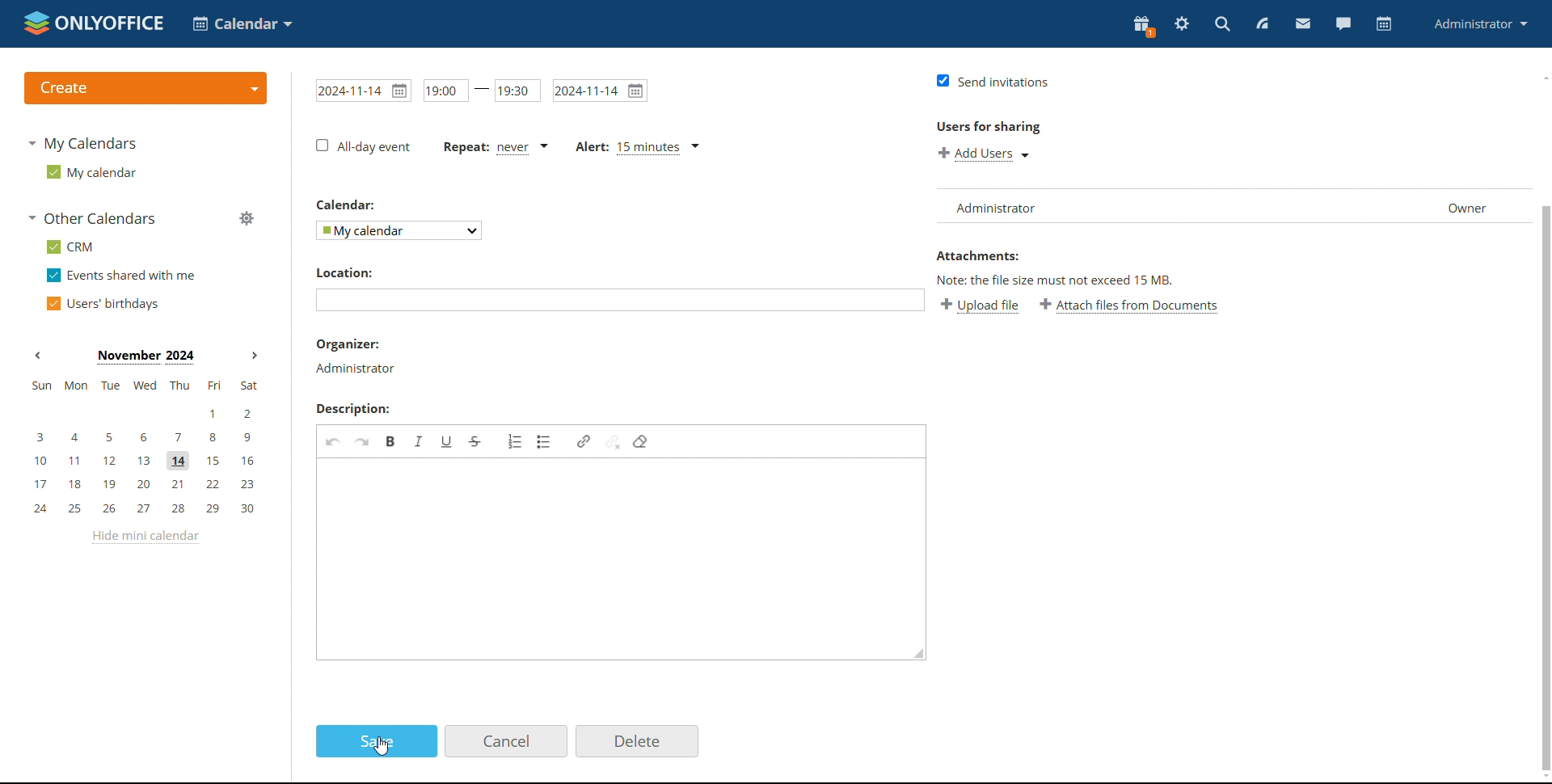 Image resolution: width=1552 pixels, height=784 pixels. What do you see at coordinates (1221, 23) in the screenshot?
I see `search` at bounding box center [1221, 23].